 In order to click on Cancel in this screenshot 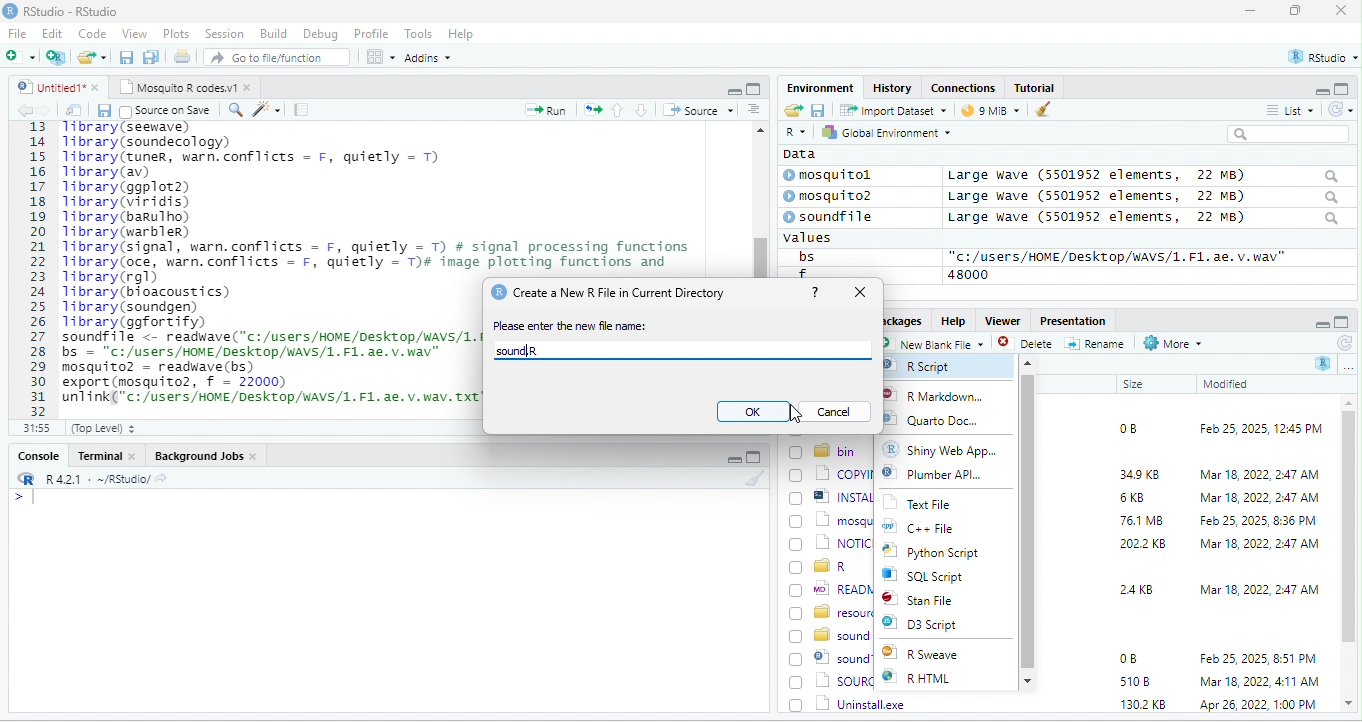, I will do `click(837, 411)`.